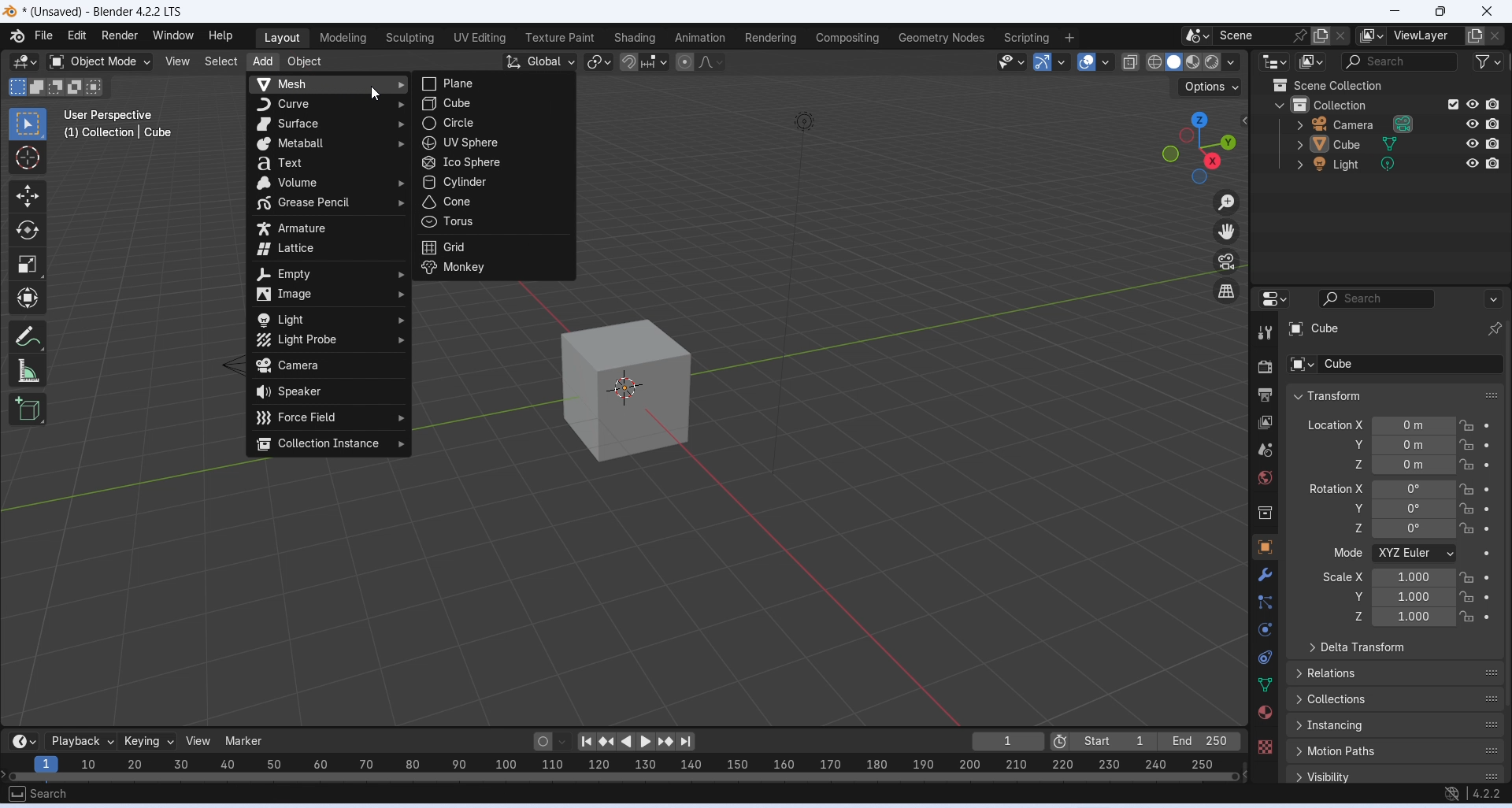 This screenshot has height=808, width=1512. What do you see at coordinates (1059, 743) in the screenshot?
I see `use preview range` at bounding box center [1059, 743].